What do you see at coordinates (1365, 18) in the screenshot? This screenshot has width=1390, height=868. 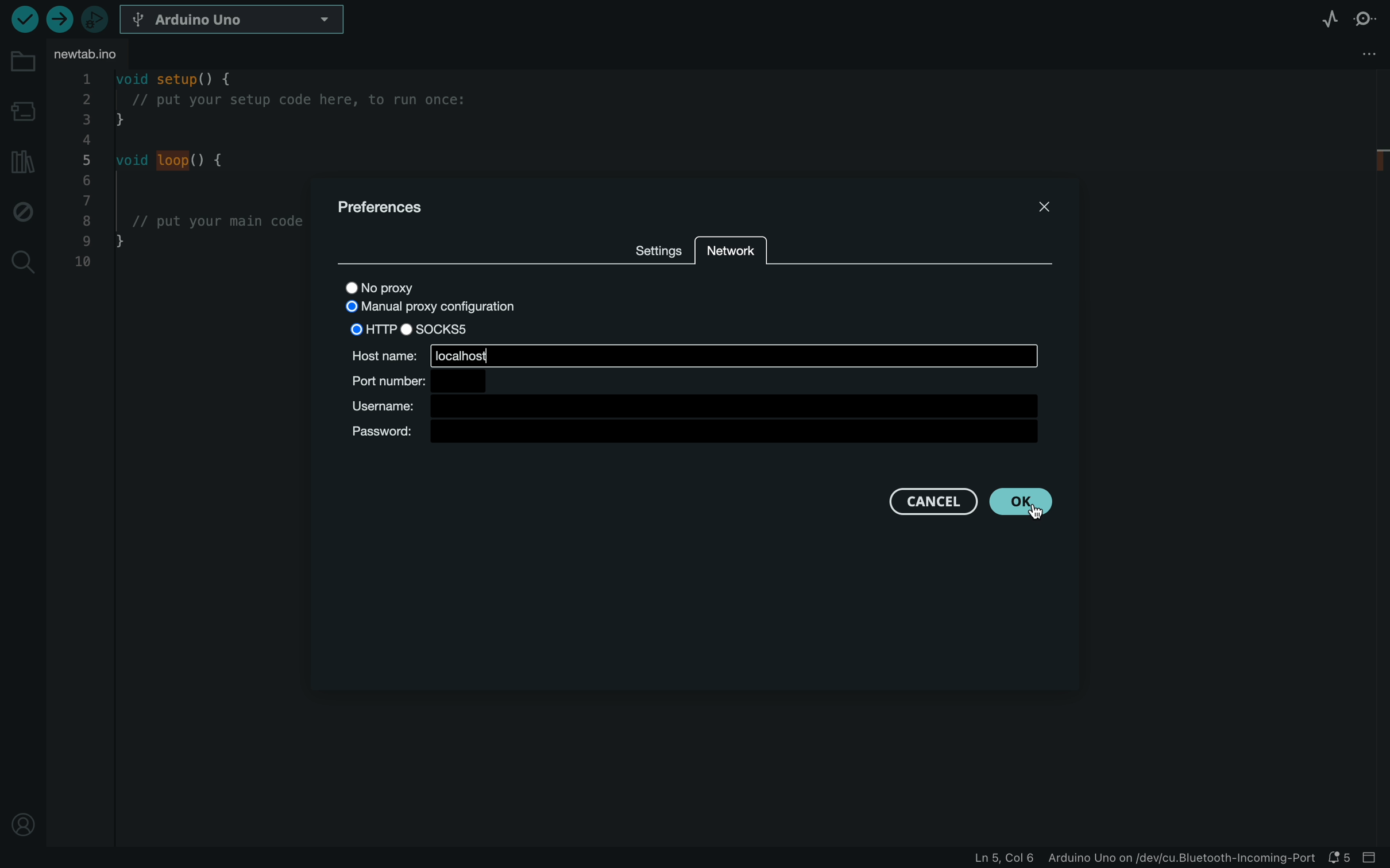 I see `serial monitor` at bounding box center [1365, 18].